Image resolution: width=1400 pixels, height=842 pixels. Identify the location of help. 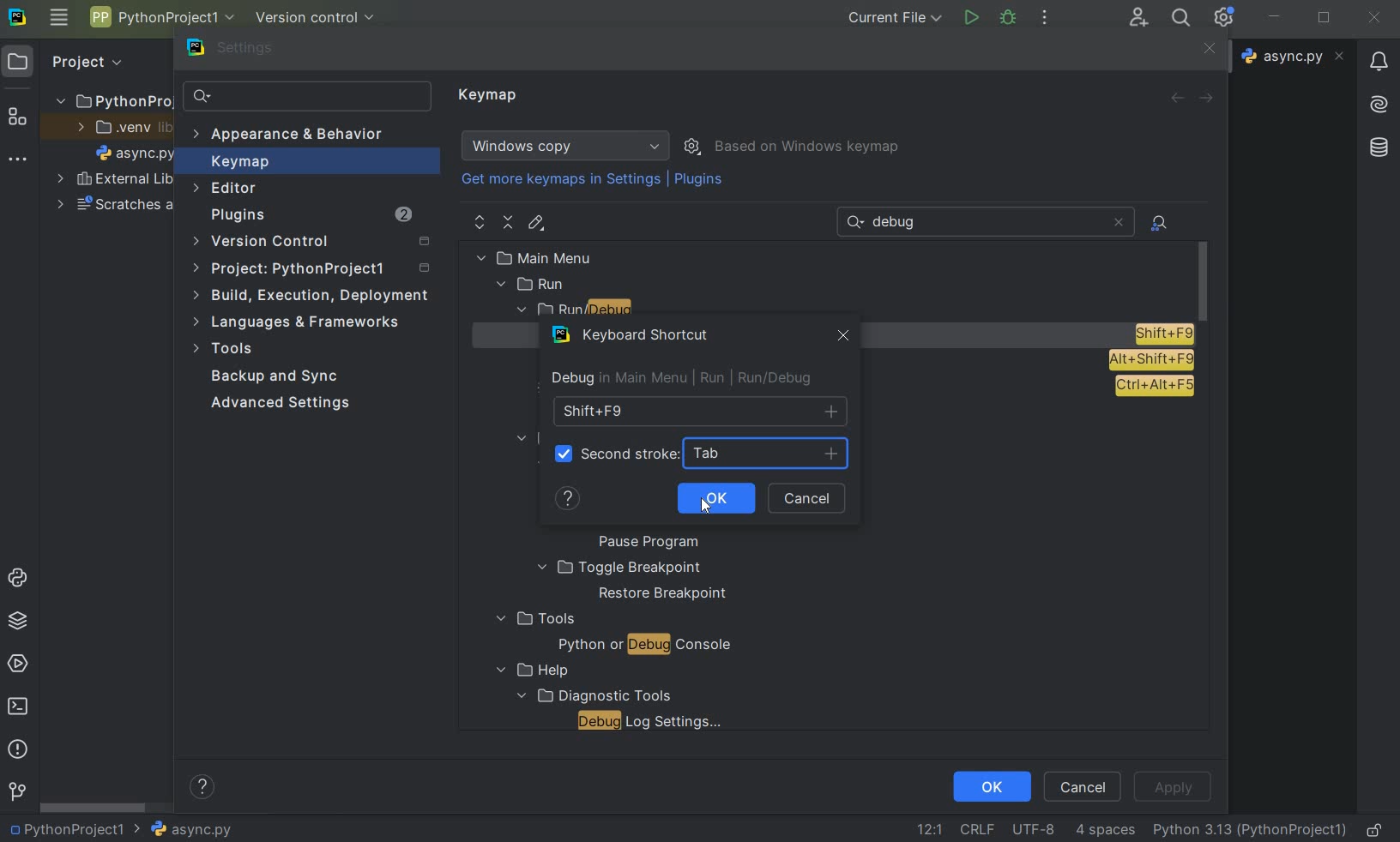
(570, 502).